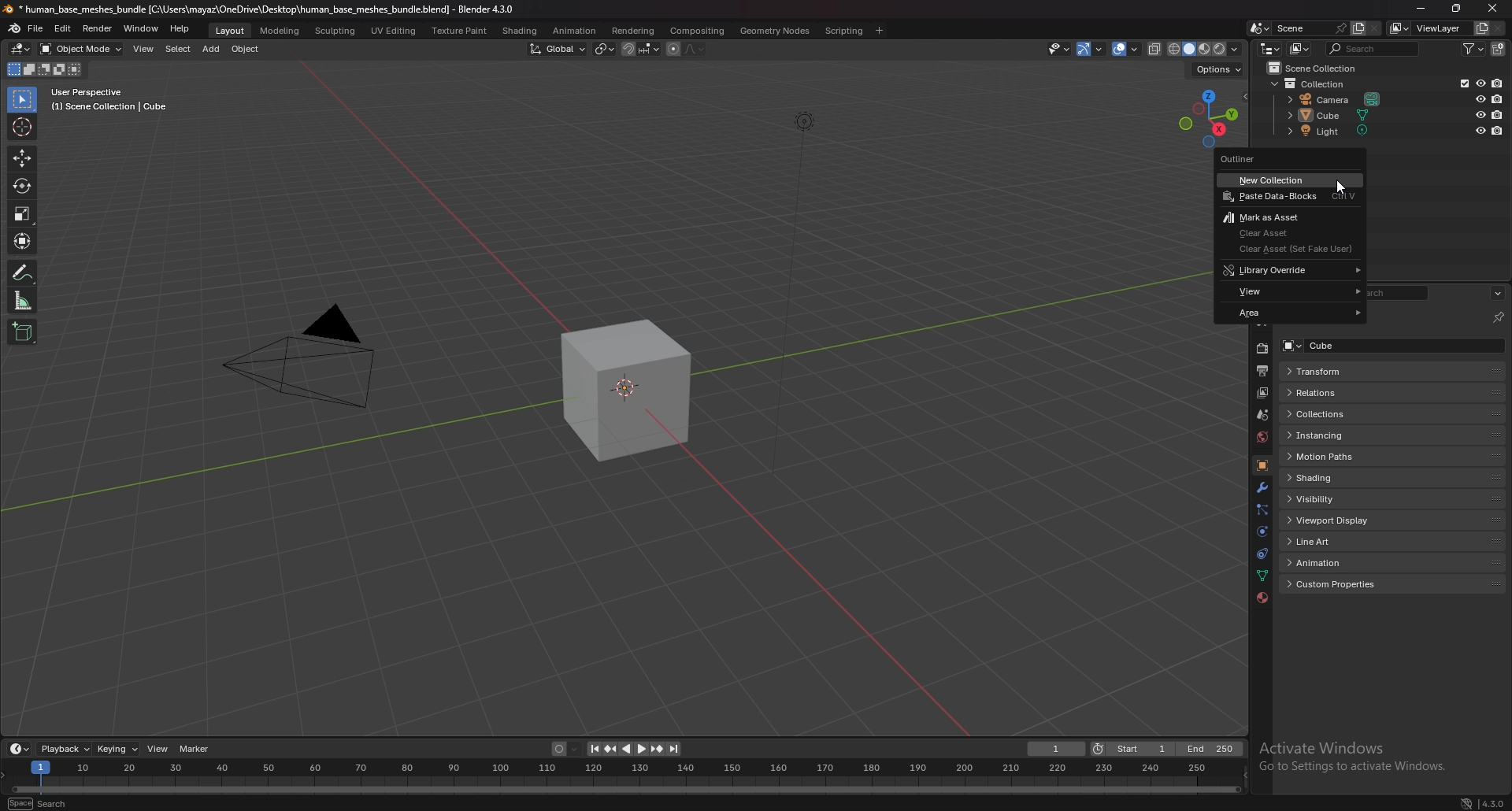 Image resolution: width=1512 pixels, height=811 pixels. What do you see at coordinates (1289, 313) in the screenshot?
I see `area` at bounding box center [1289, 313].